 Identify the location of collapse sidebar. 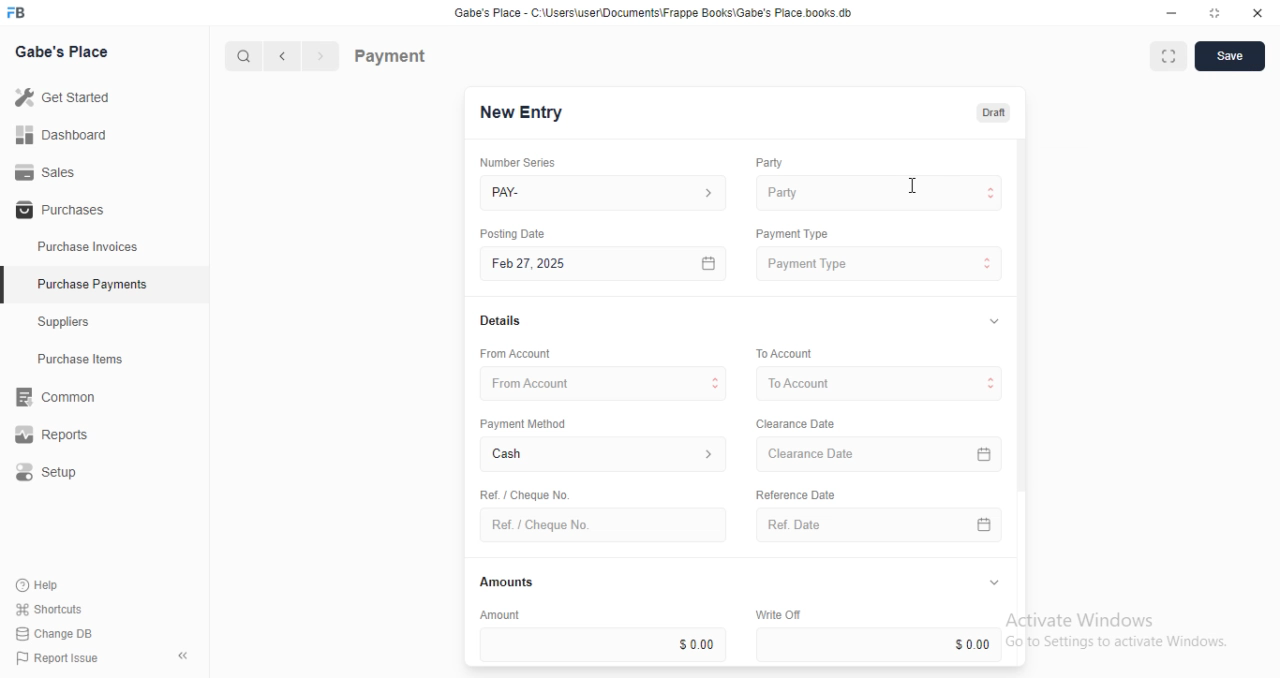
(182, 655).